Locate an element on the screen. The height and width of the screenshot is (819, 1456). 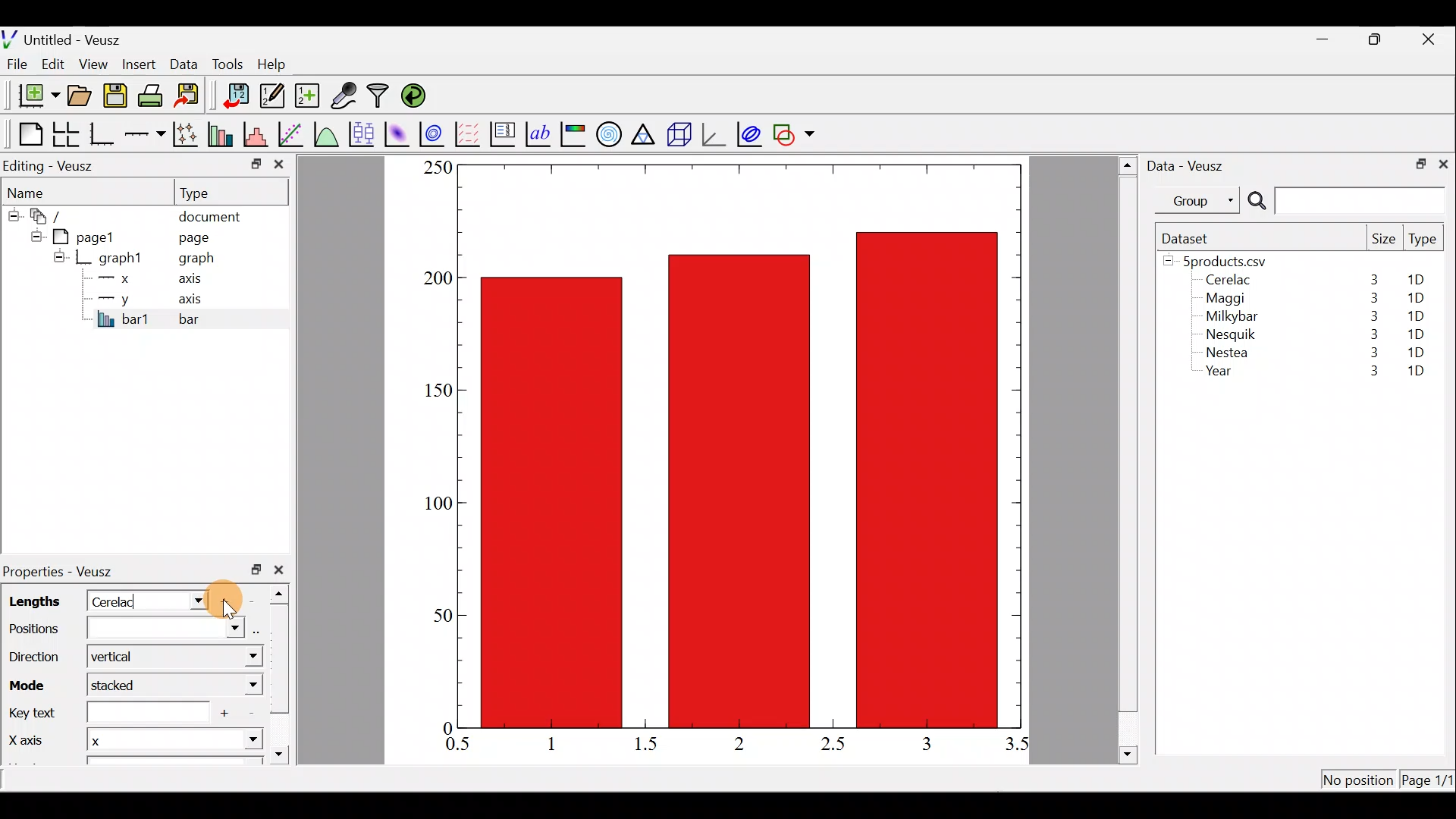
hide is located at coordinates (12, 213).